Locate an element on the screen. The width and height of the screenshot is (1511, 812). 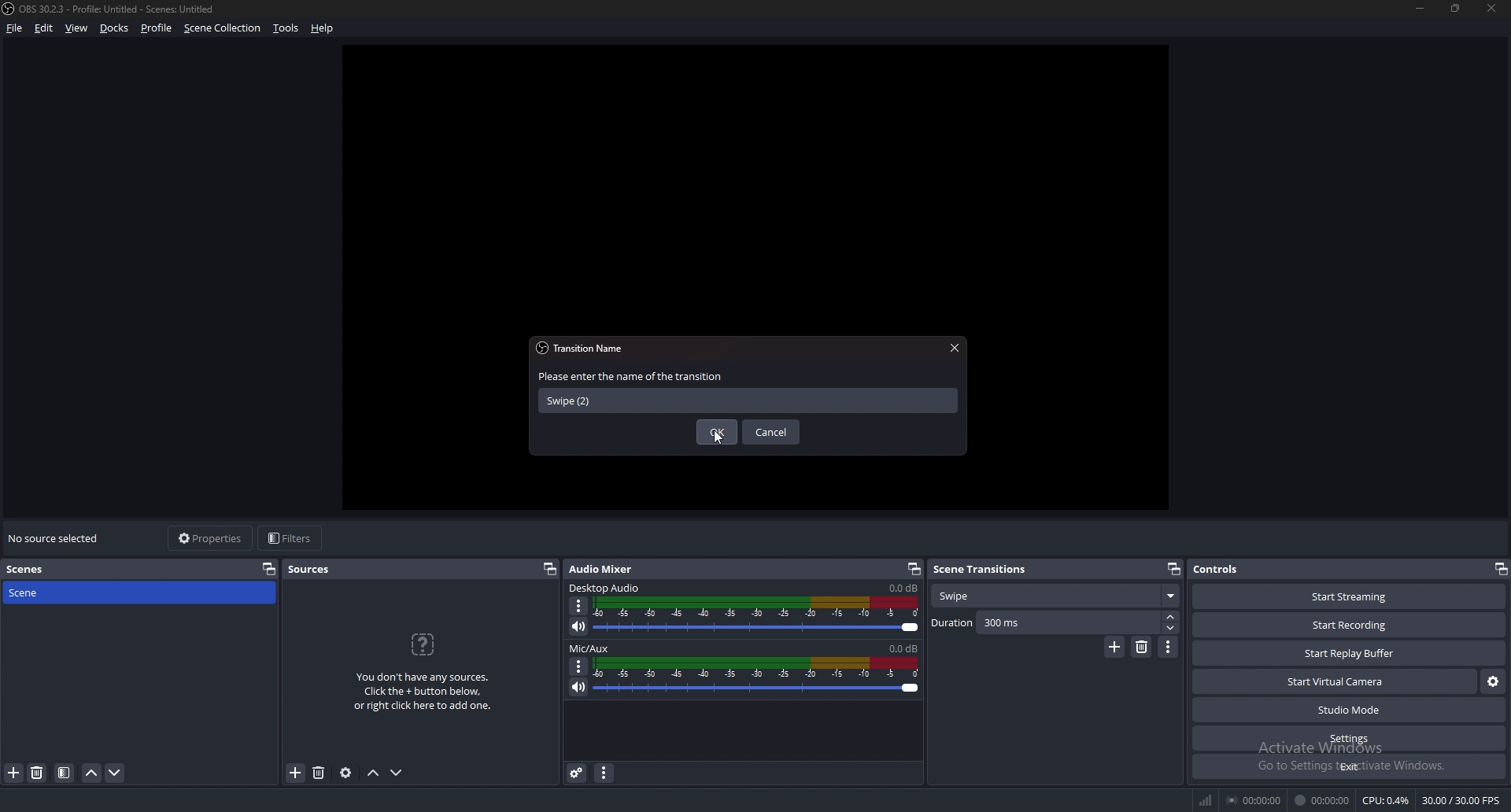
enter name of transition is located at coordinates (631, 376).